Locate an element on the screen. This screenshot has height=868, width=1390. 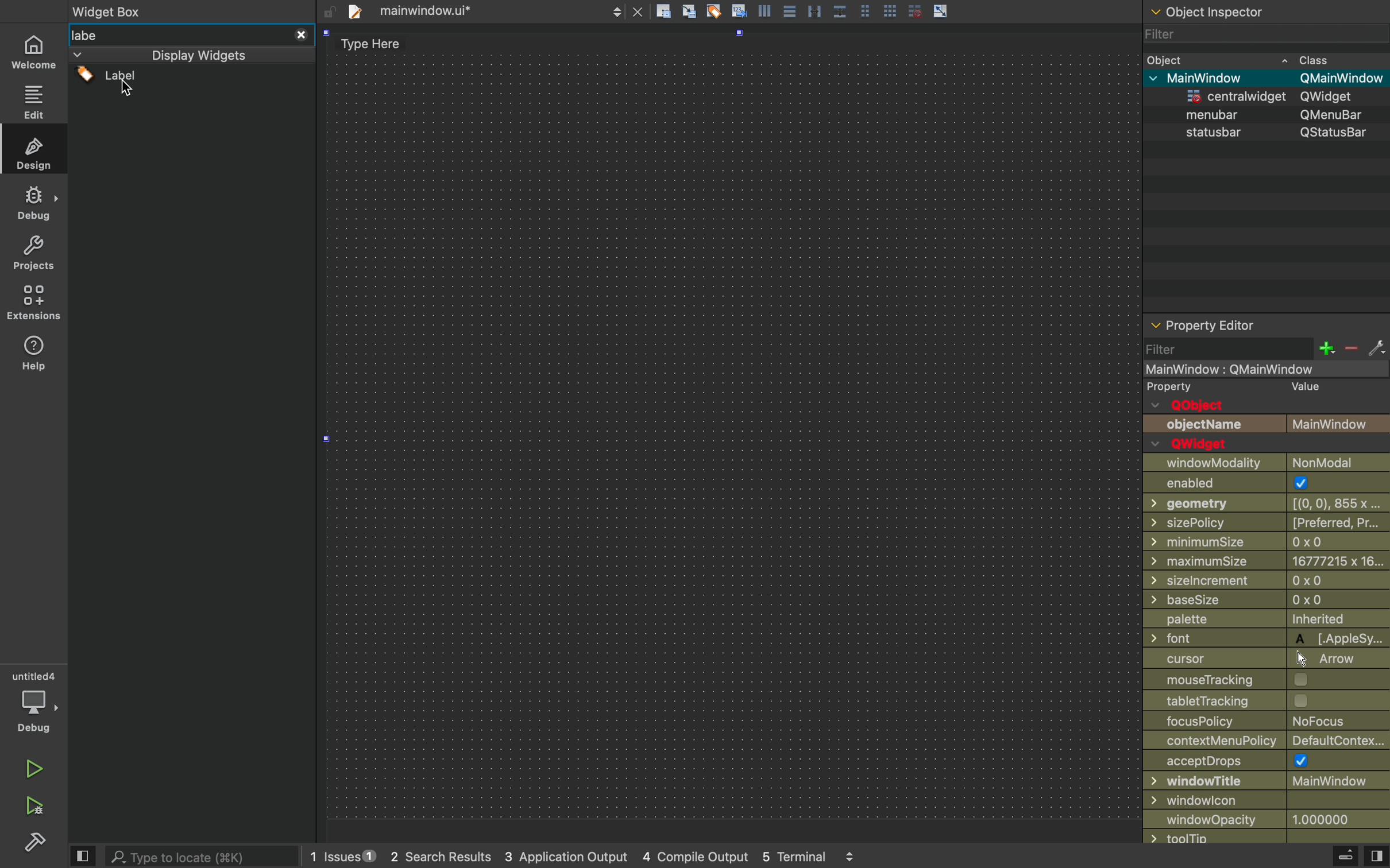
Widget is located at coordinates (110, 13).